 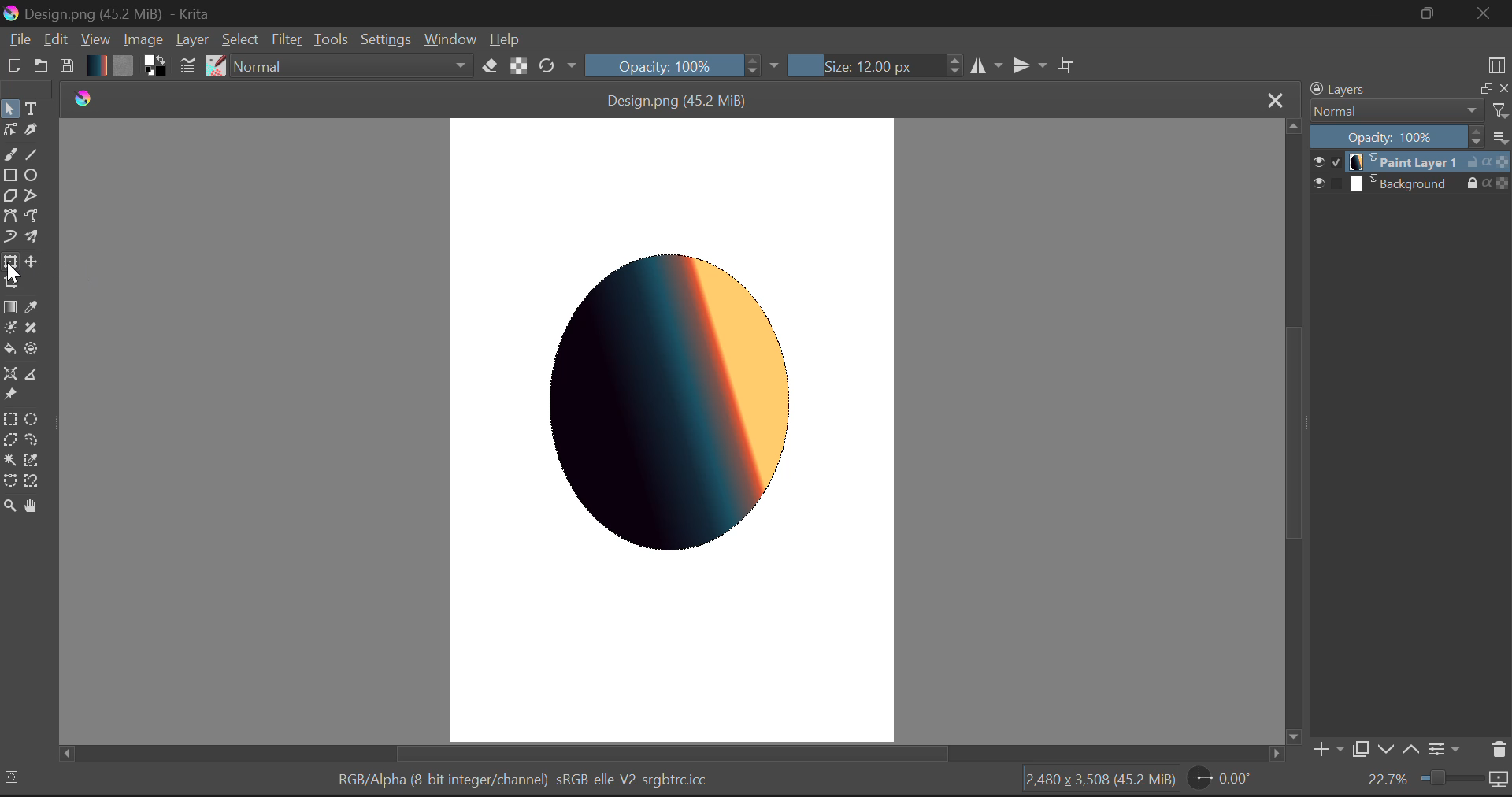 What do you see at coordinates (1487, 13) in the screenshot?
I see `Close` at bounding box center [1487, 13].